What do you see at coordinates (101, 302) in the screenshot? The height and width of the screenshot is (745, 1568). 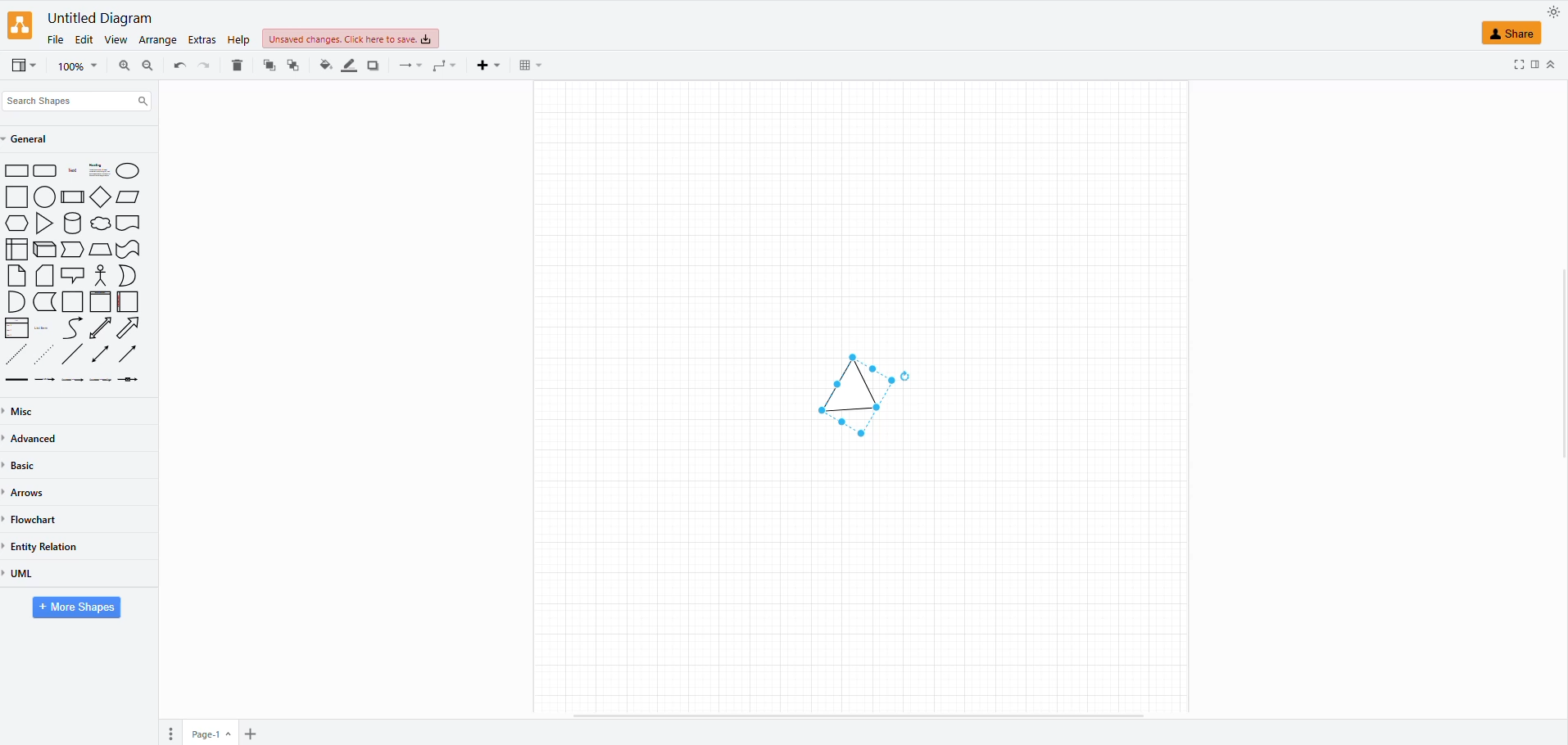 I see `Header` at bounding box center [101, 302].